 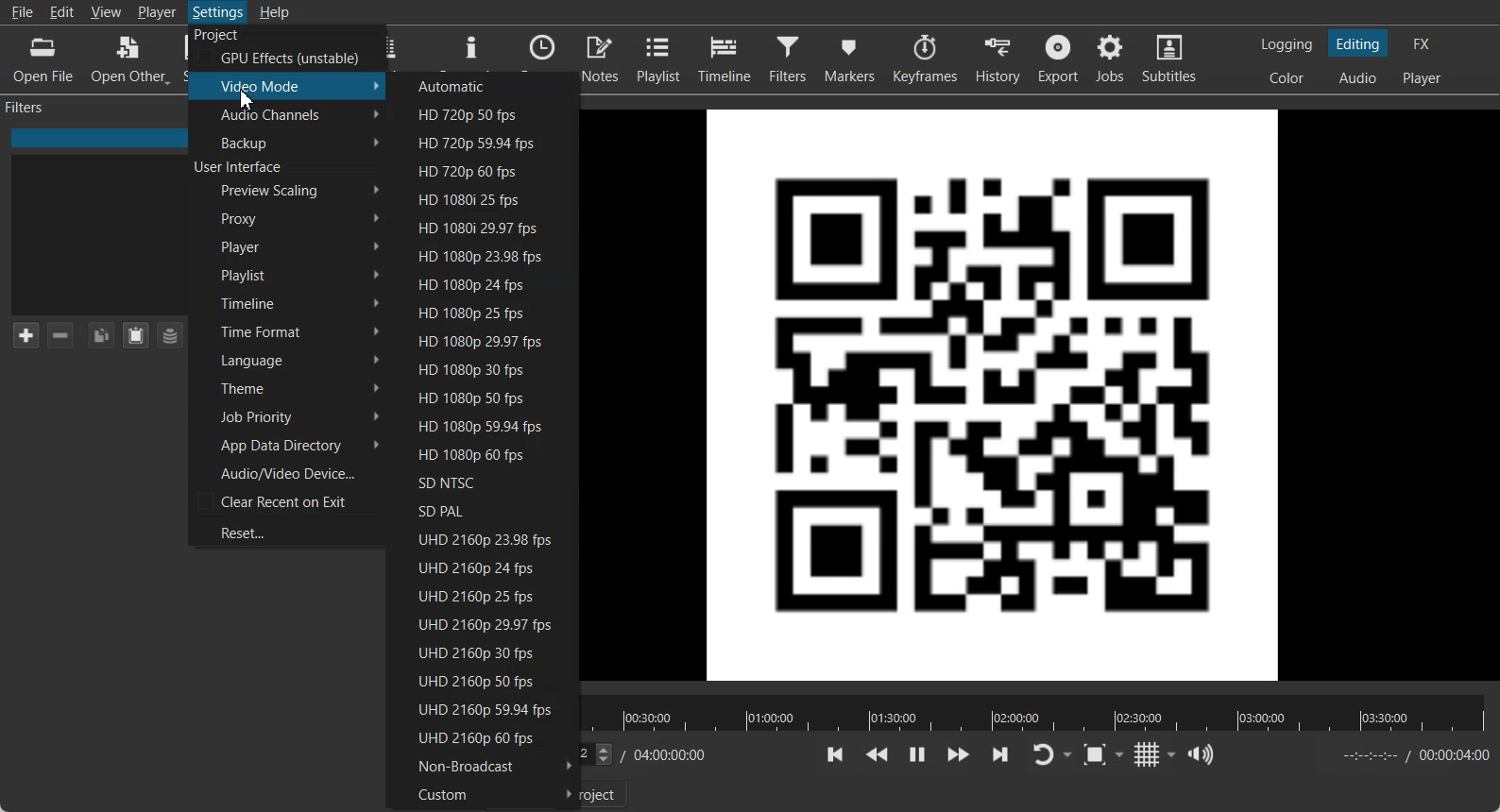 What do you see at coordinates (924, 59) in the screenshot?
I see `Keyframes` at bounding box center [924, 59].